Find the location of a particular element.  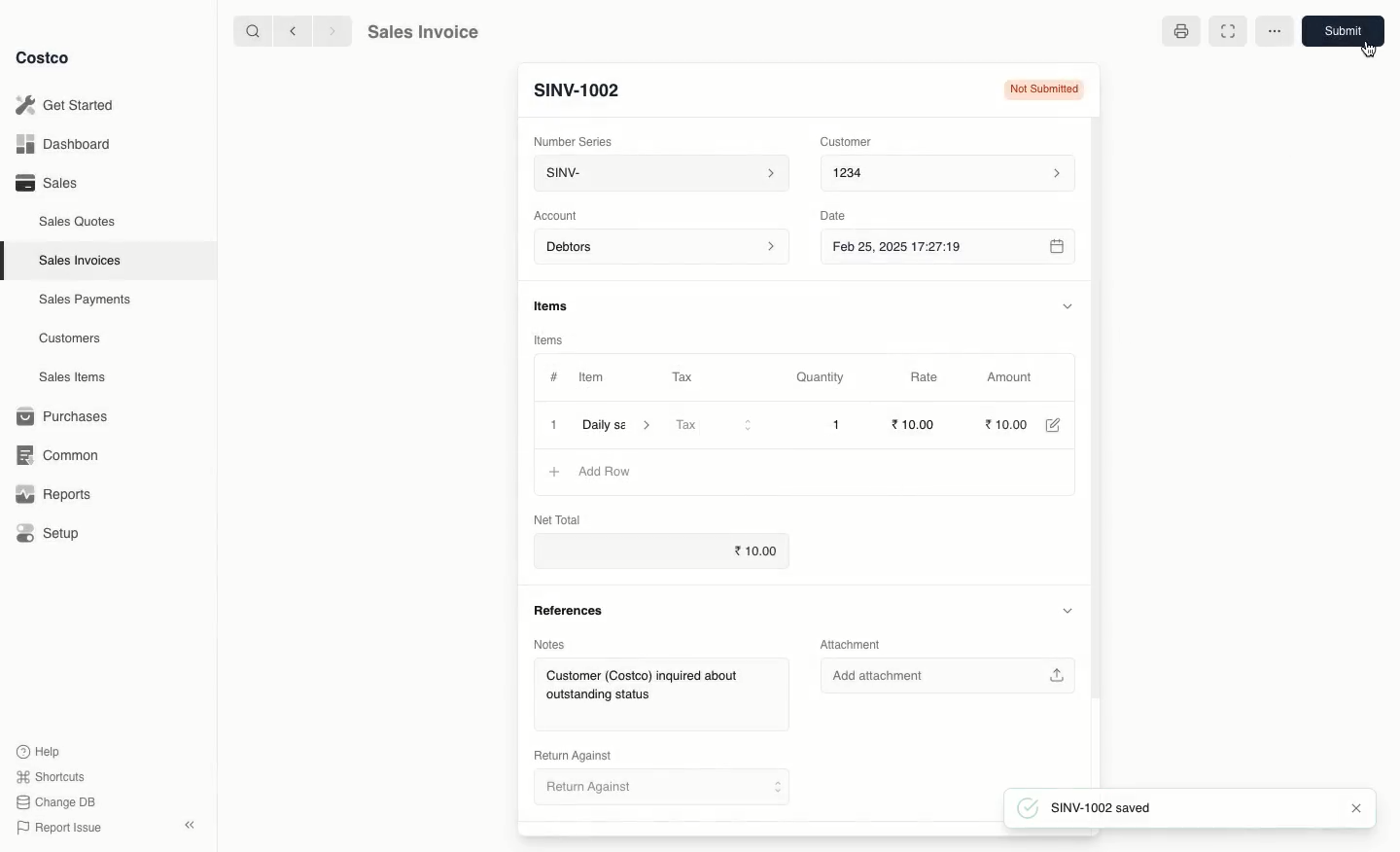

Report Issue is located at coordinates (61, 828).